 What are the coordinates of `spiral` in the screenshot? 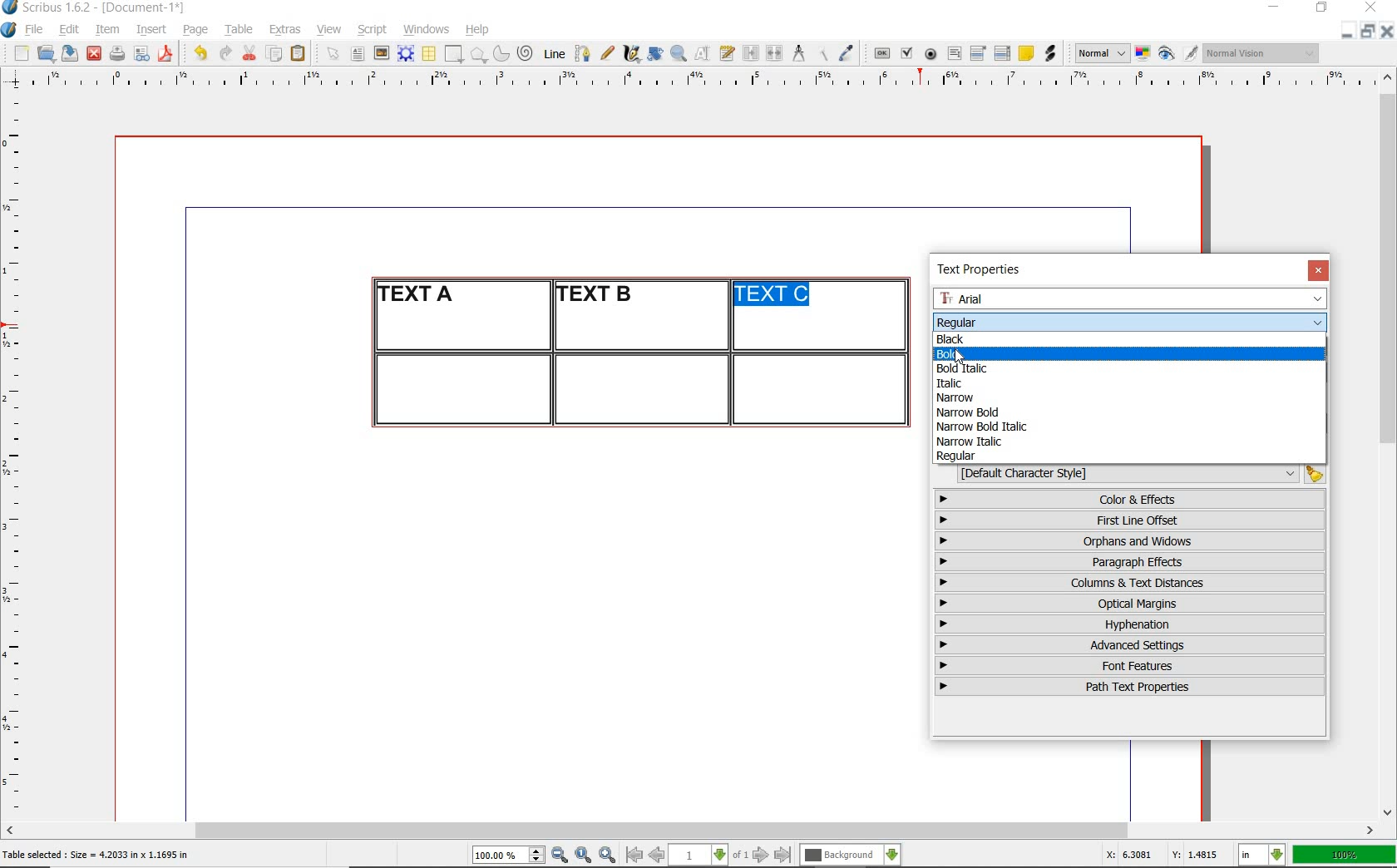 It's located at (526, 53).